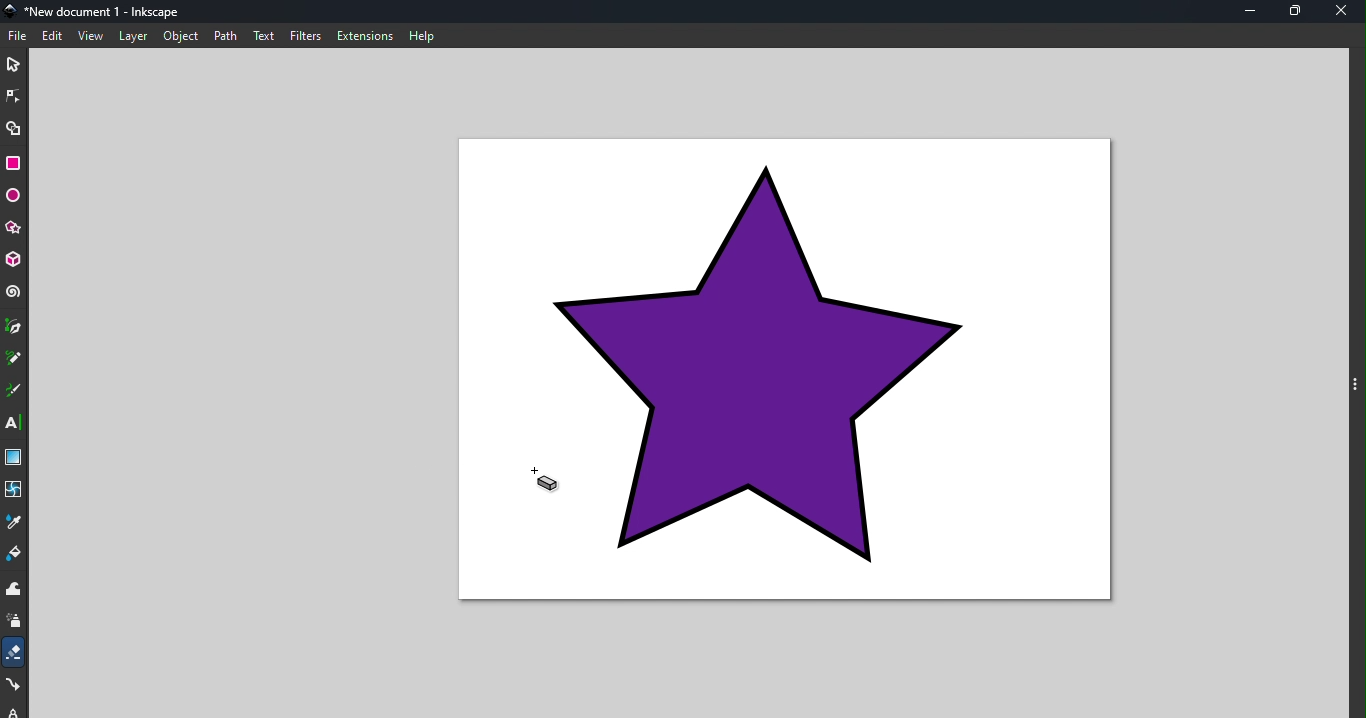 This screenshot has width=1366, height=718. Describe the element at coordinates (1249, 11) in the screenshot. I see `minimize tool` at that location.